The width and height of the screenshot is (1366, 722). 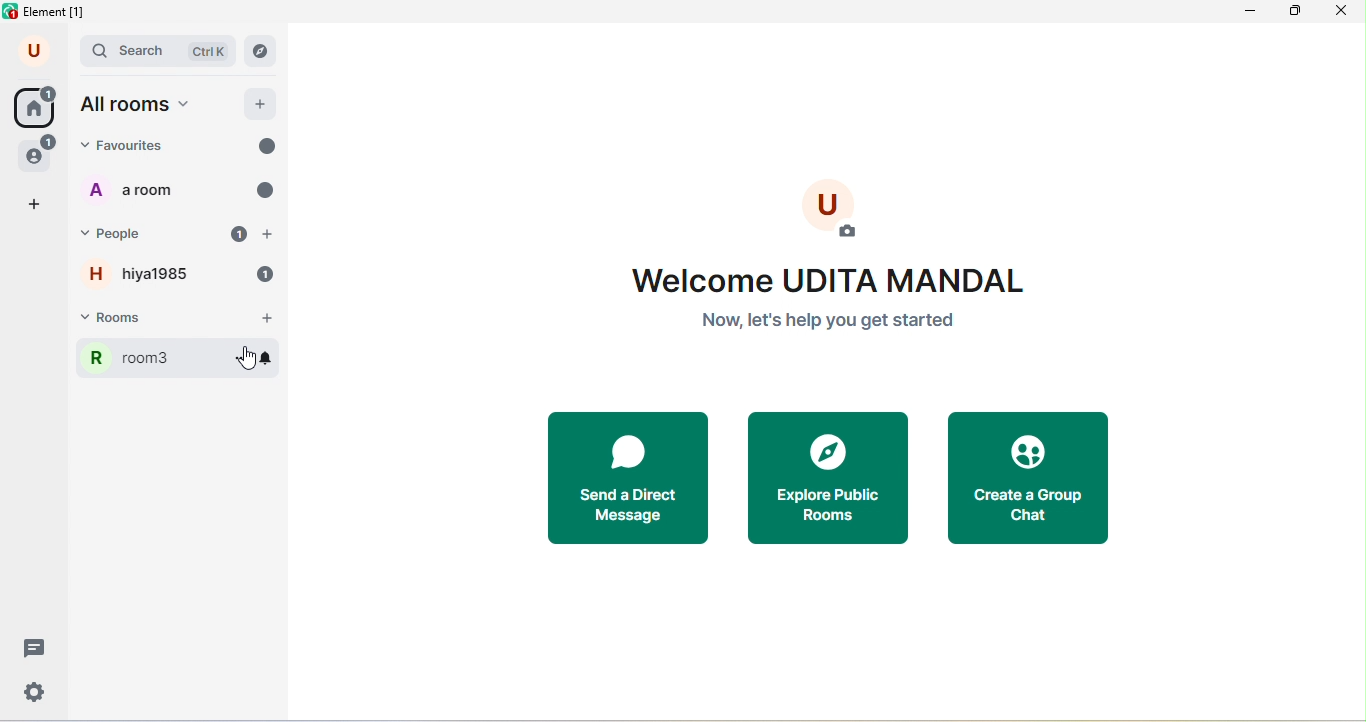 What do you see at coordinates (34, 106) in the screenshot?
I see `home` at bounding box center [34, 106].